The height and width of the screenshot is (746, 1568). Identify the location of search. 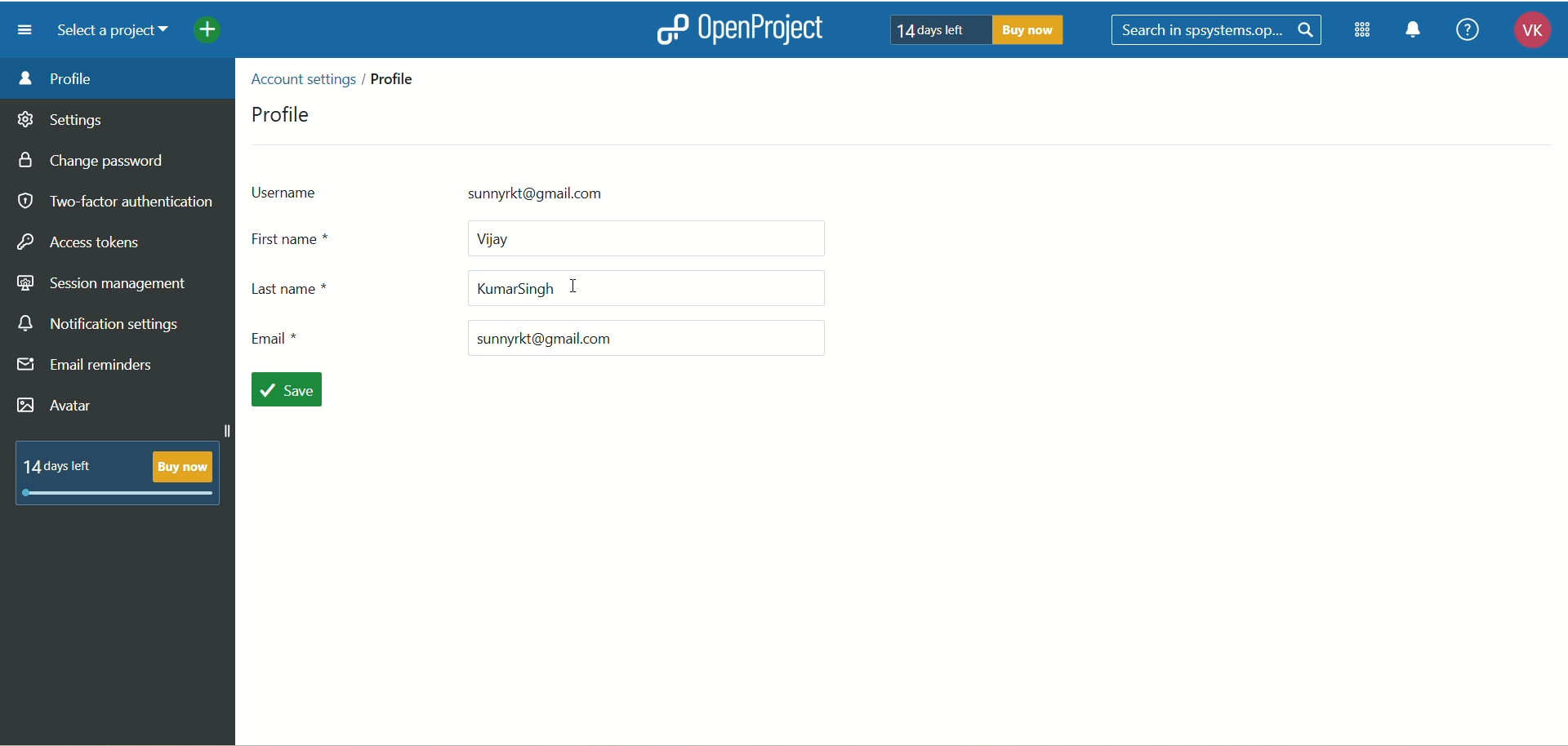
(1218, 30).